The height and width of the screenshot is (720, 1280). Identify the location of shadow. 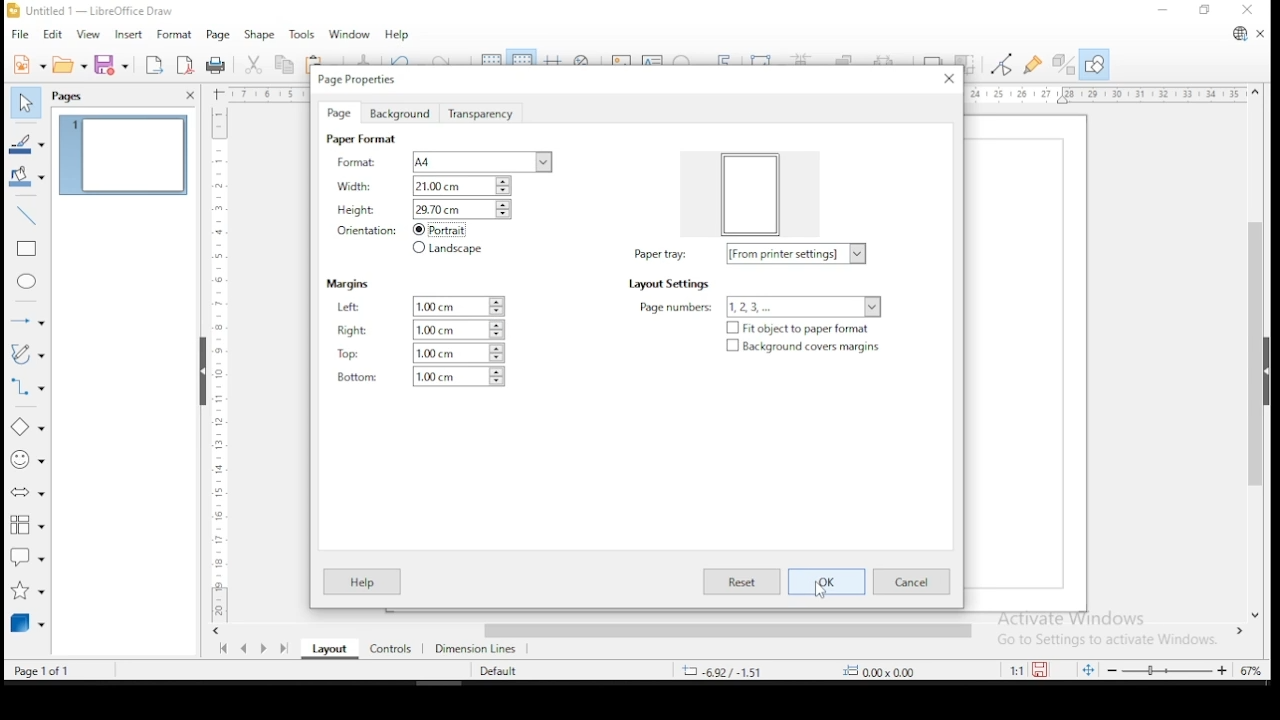
(933, 57).